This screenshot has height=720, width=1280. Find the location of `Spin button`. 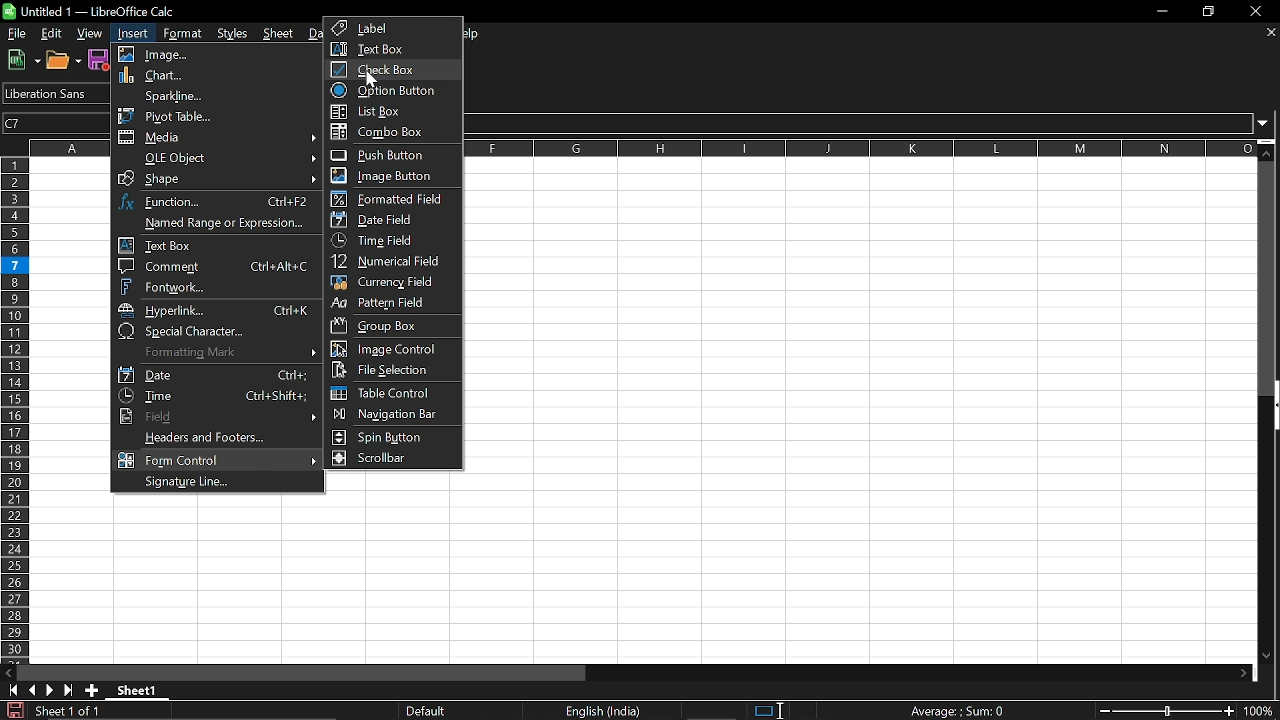

Spin button is located at coordinates (384, 438).